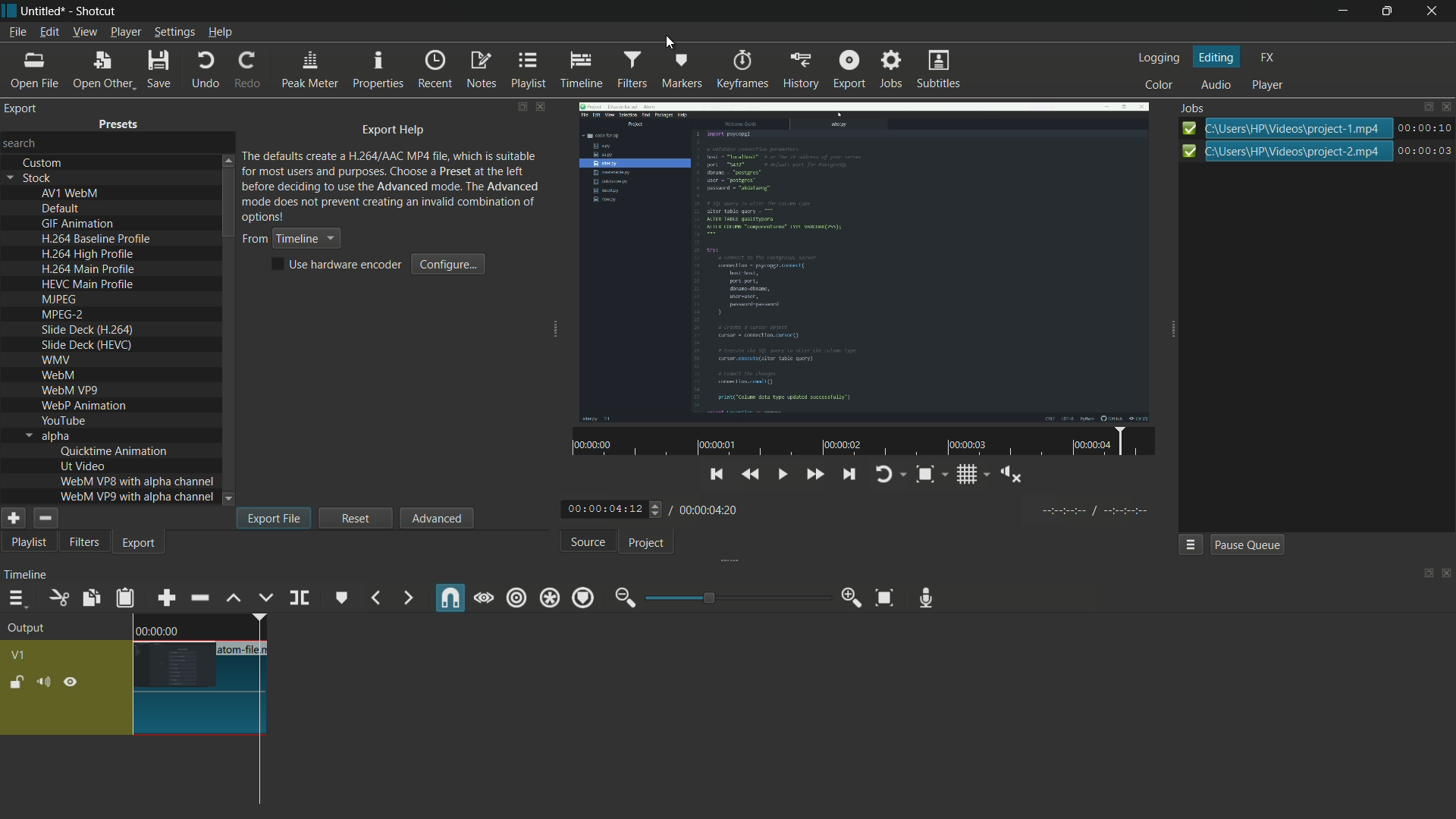 Image resolution: width=1456 pixels, height=819 pixels. Describe the element at coordinates (379, 71) in the screenshot. I see `properties` at that location.